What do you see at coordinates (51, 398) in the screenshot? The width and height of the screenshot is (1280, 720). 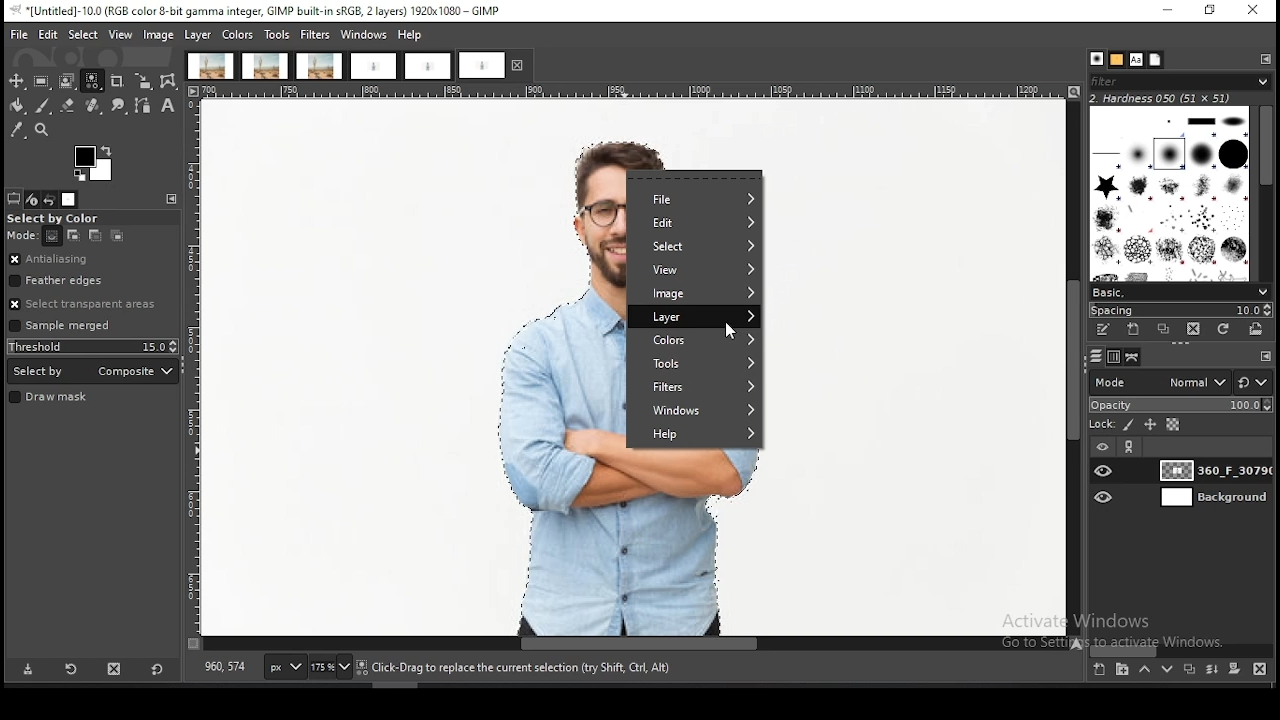 I see `draw mask` at bounding box center [51, 398].